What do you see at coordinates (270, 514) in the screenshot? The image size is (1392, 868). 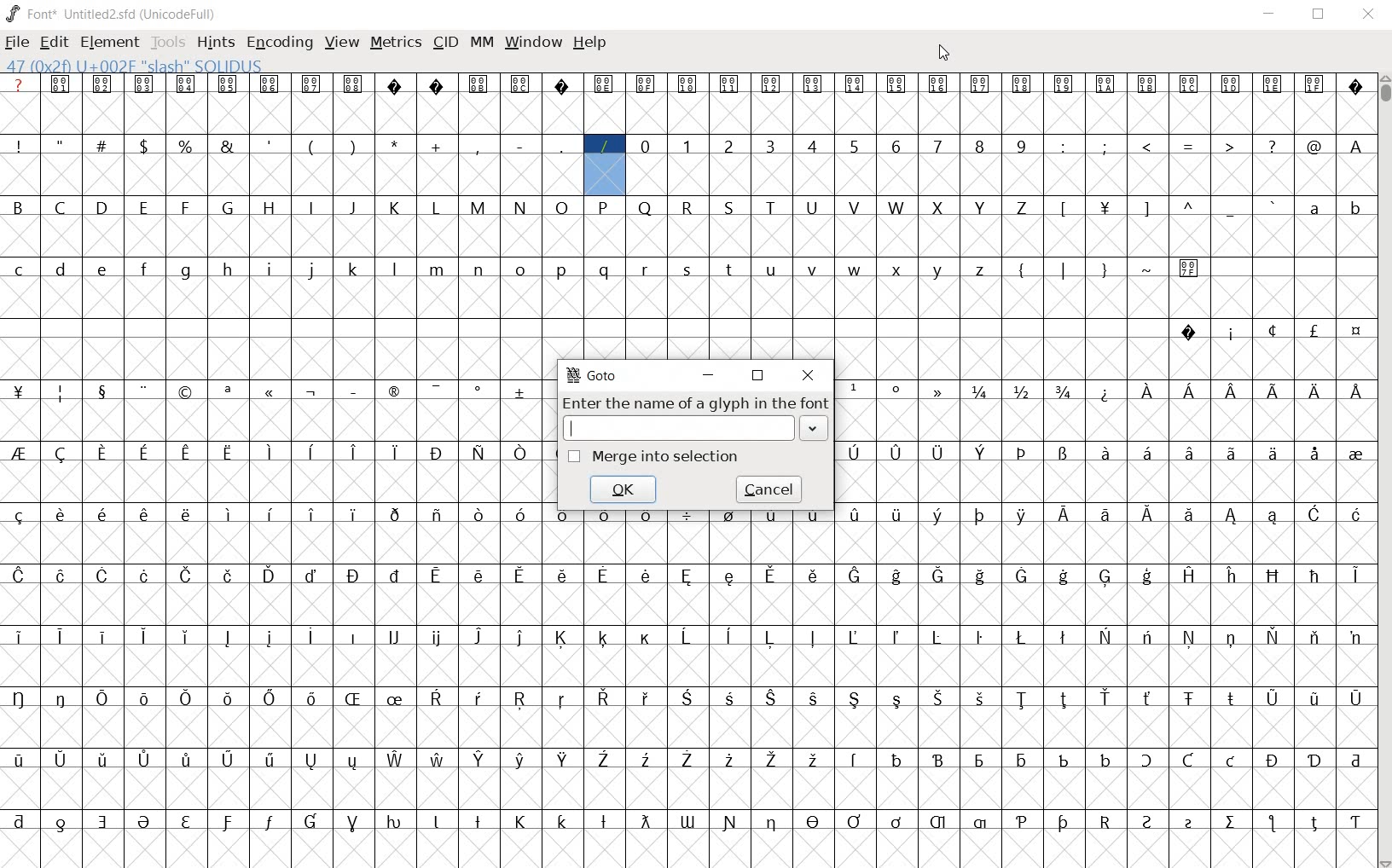 I see `glyph` at bounding box center [270, 514].